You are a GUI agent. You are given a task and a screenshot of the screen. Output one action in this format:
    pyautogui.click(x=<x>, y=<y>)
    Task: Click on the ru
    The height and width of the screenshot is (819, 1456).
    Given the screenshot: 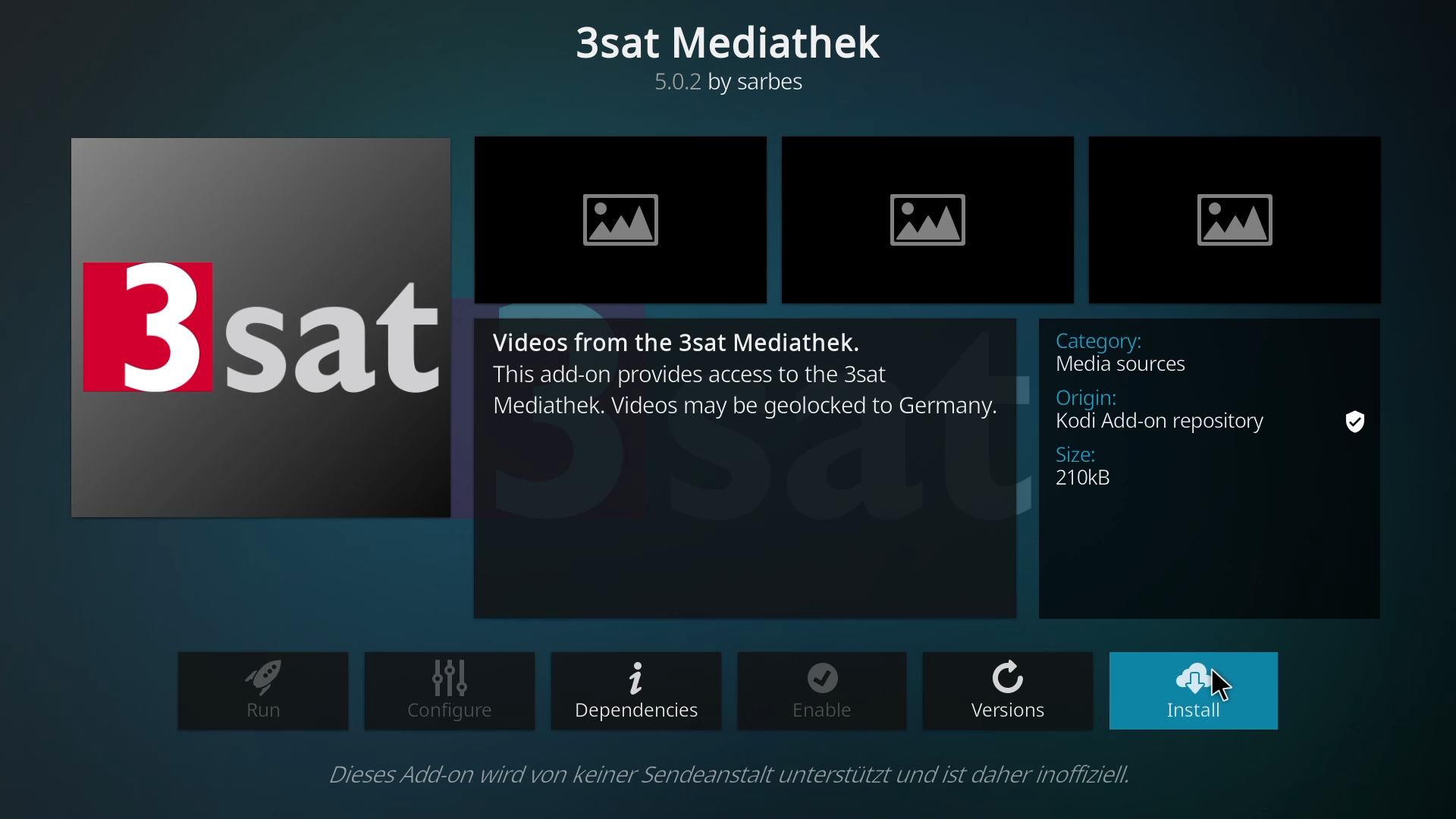 What is the action you would take?
    pyautogui.click(x=265, y=690)
    